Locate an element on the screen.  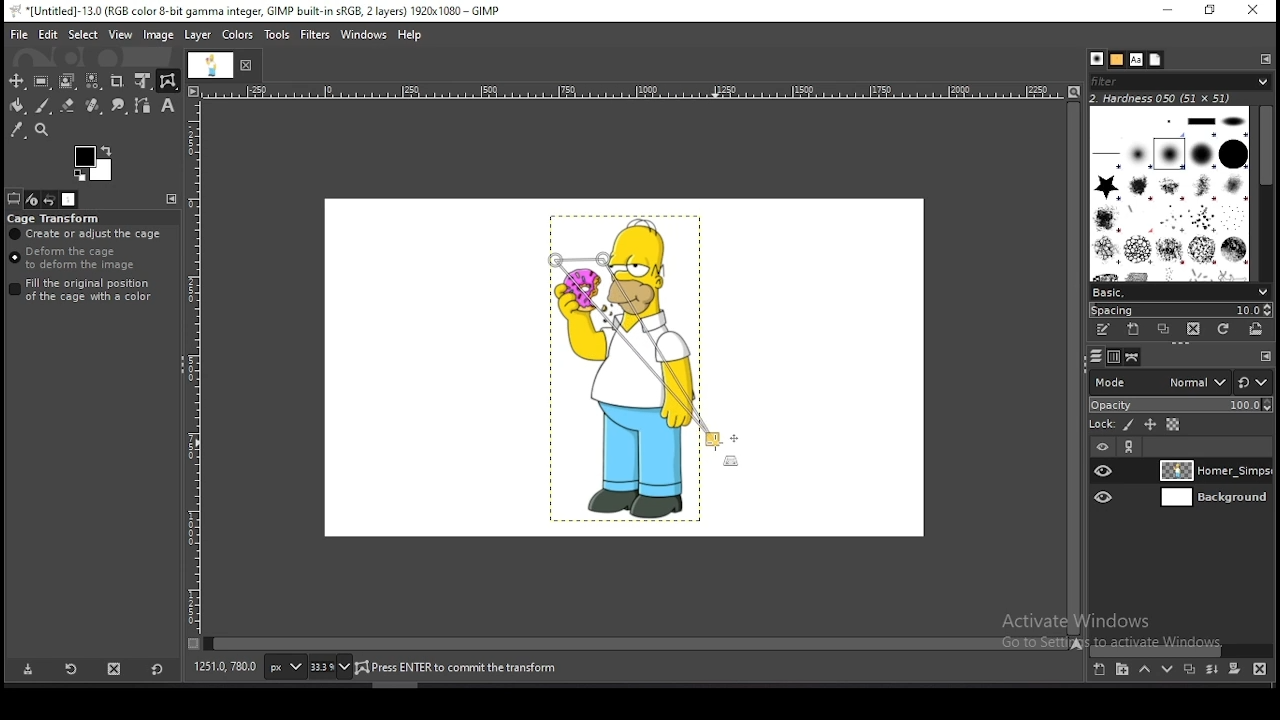
minimize is located at coordinates (1168, 11).